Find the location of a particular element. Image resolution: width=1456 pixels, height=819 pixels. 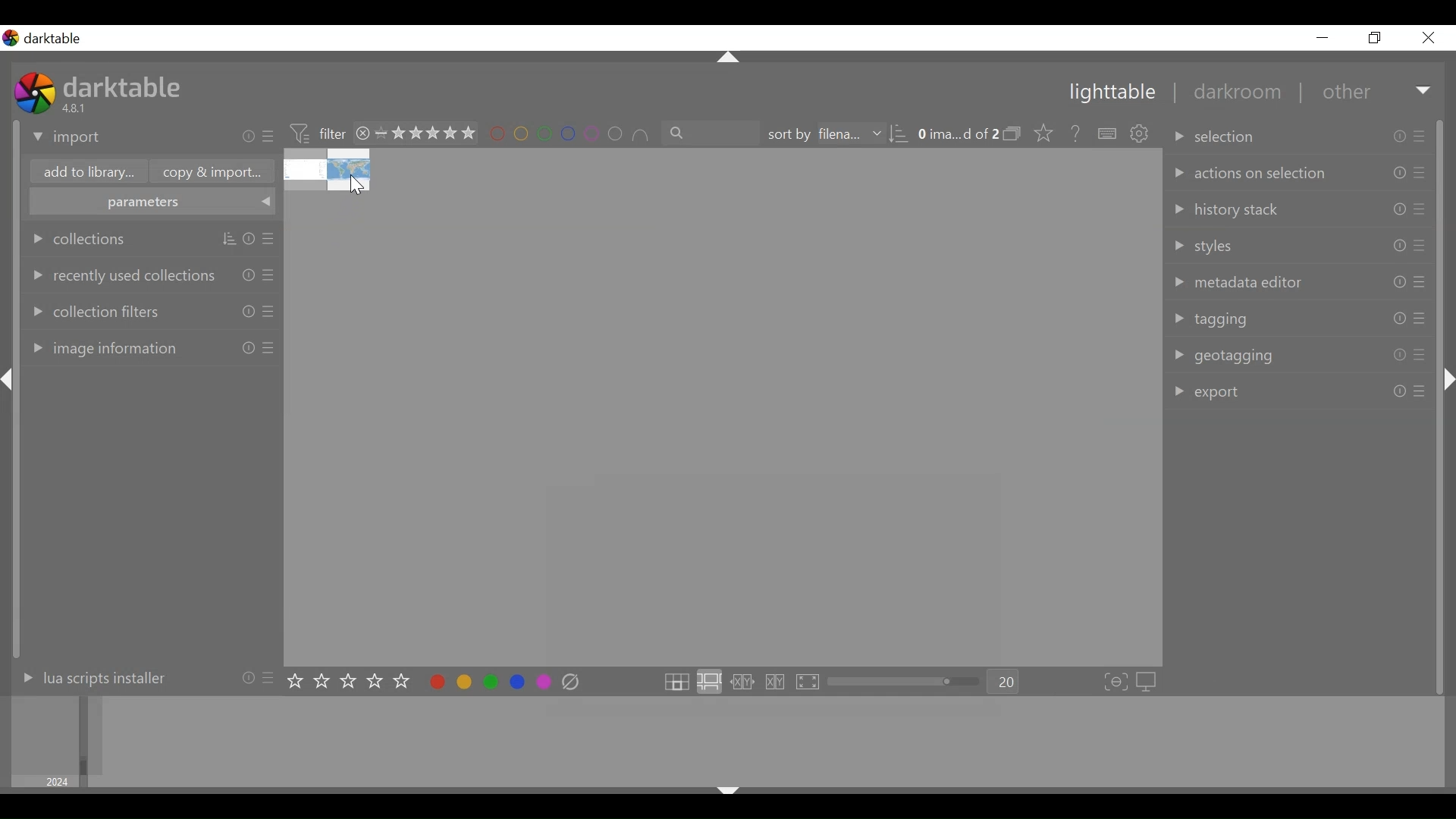

click to enter full preview is located at coordinates (811, 682).